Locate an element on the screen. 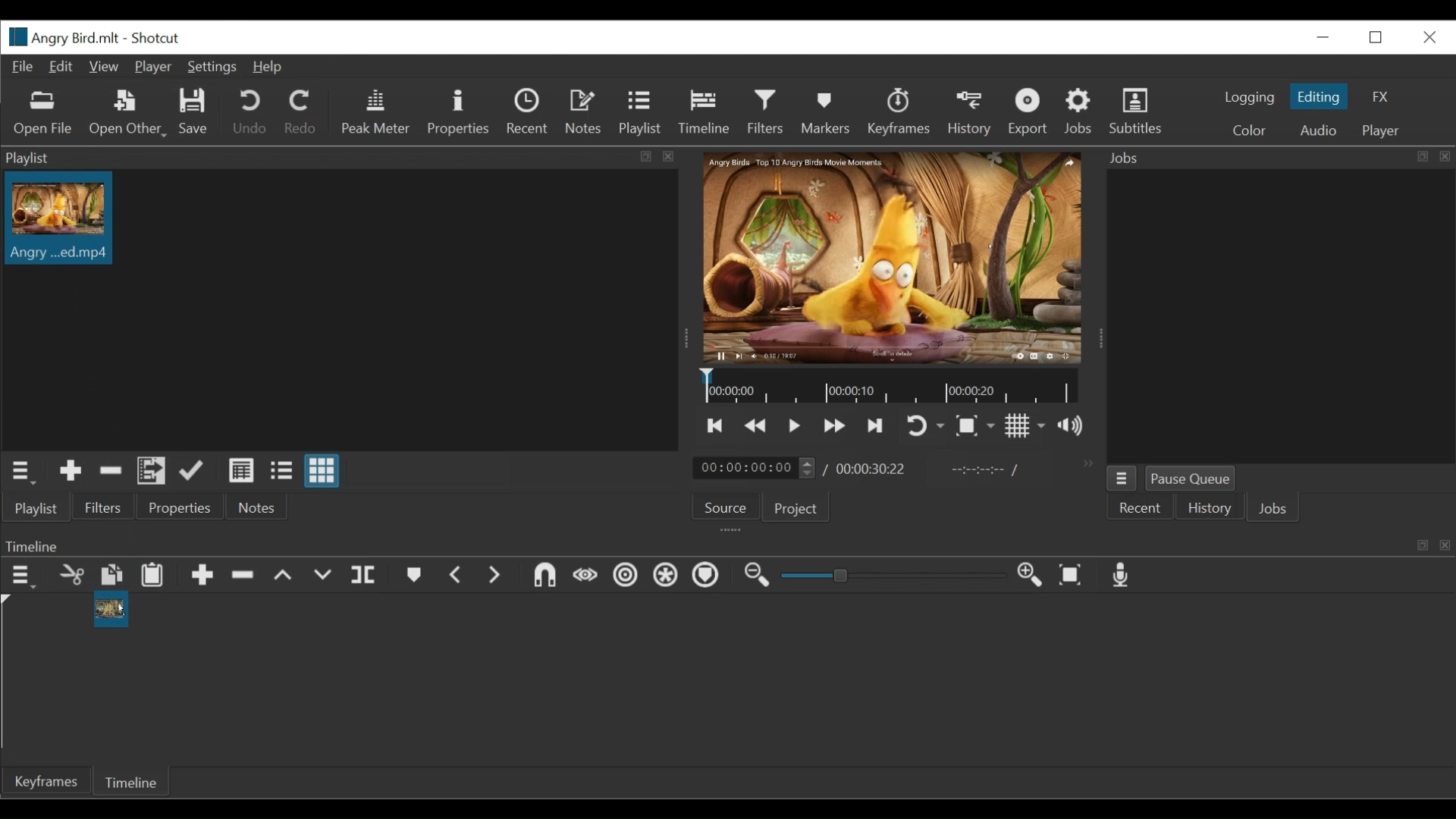 Image resolution: width=1456 pixels, height=819 pixels. split payhead is located at coordinates (363, 575).